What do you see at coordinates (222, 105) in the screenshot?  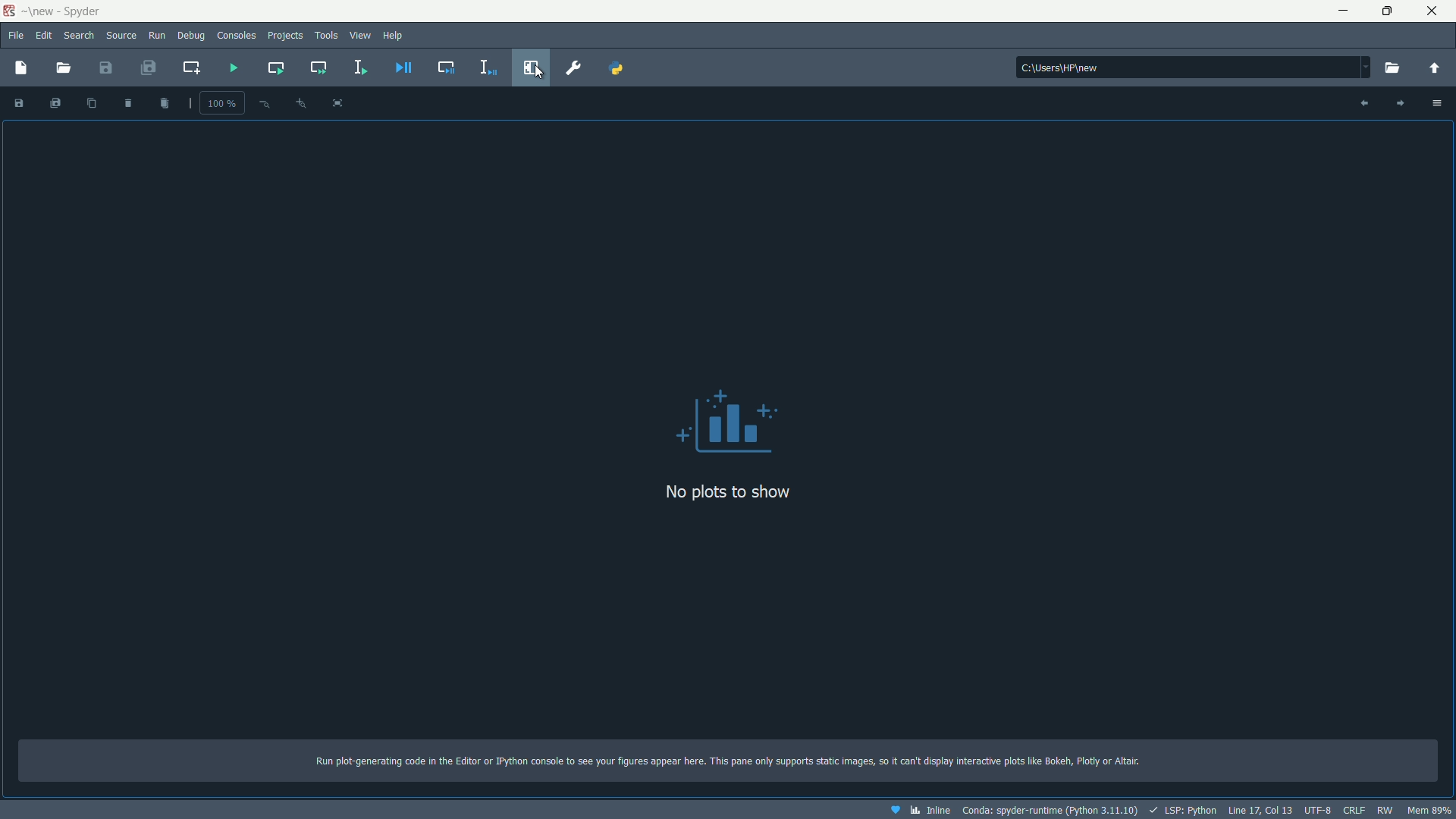 I see `100%` at bounding box center [222, 105].